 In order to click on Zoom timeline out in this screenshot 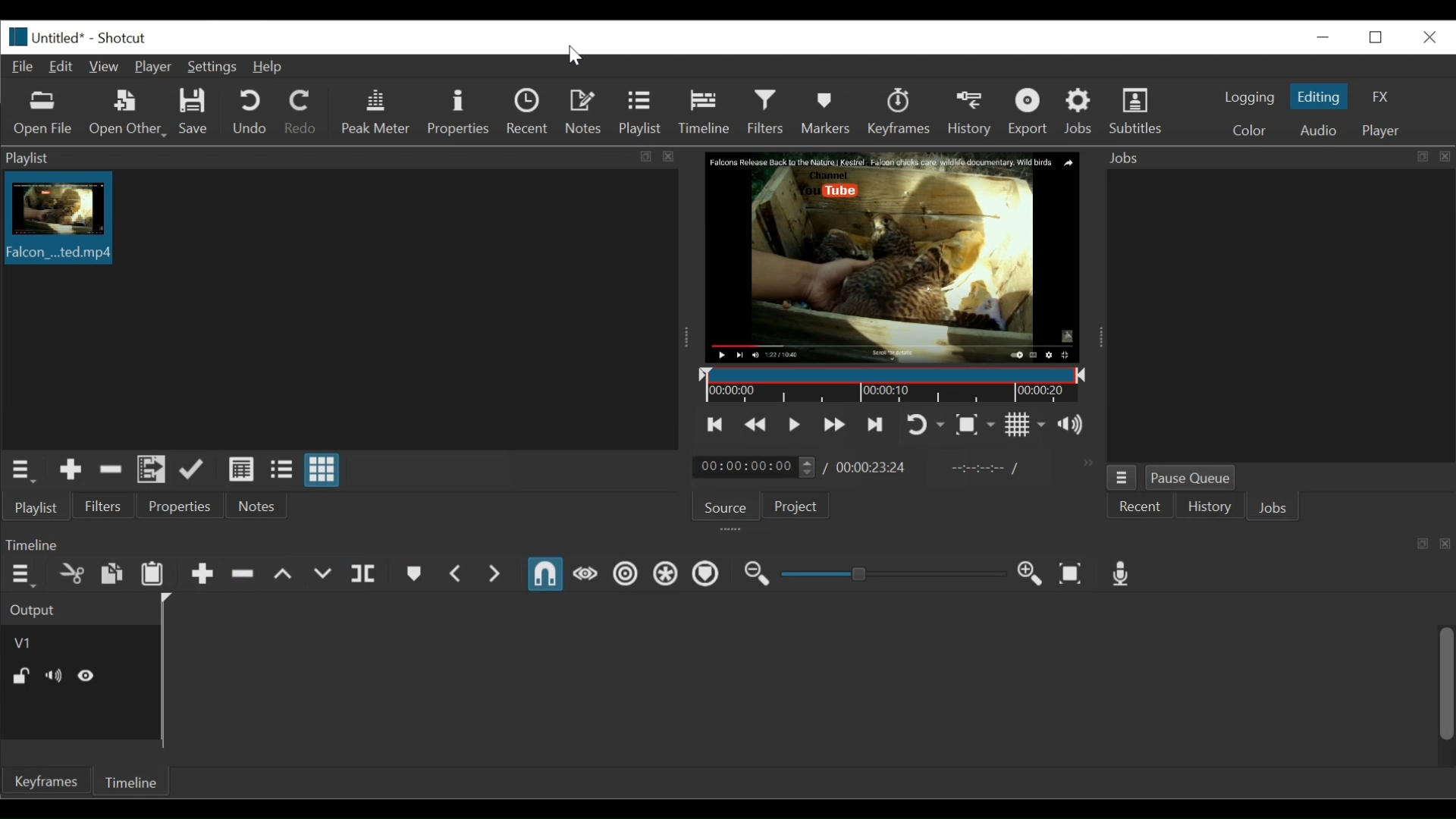, I will do `click(758, 576)`.